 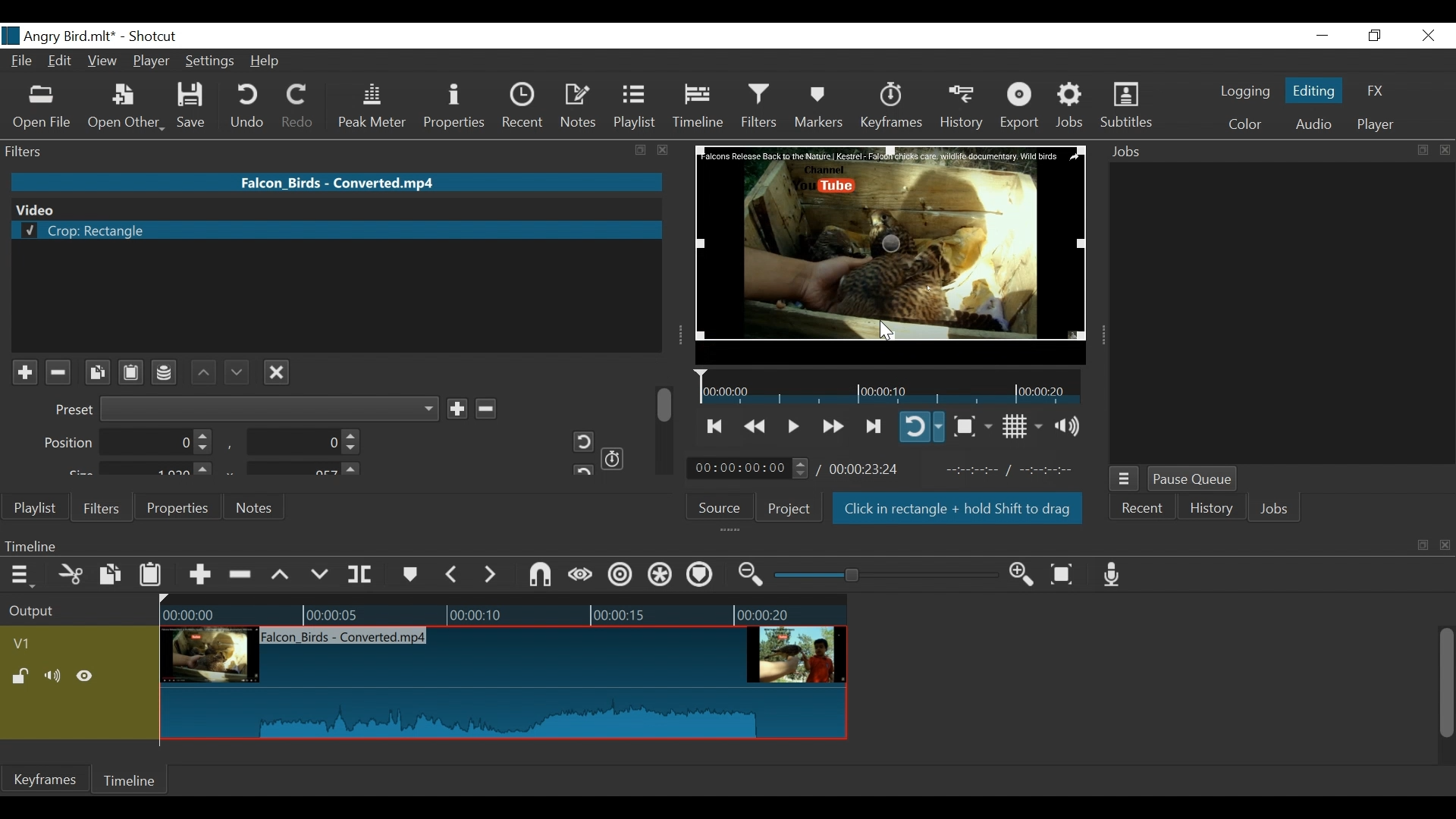 What do you see at coordinates (1020, 107) in the screenshot?
I see `Export` at bounding box center [1020, 107].